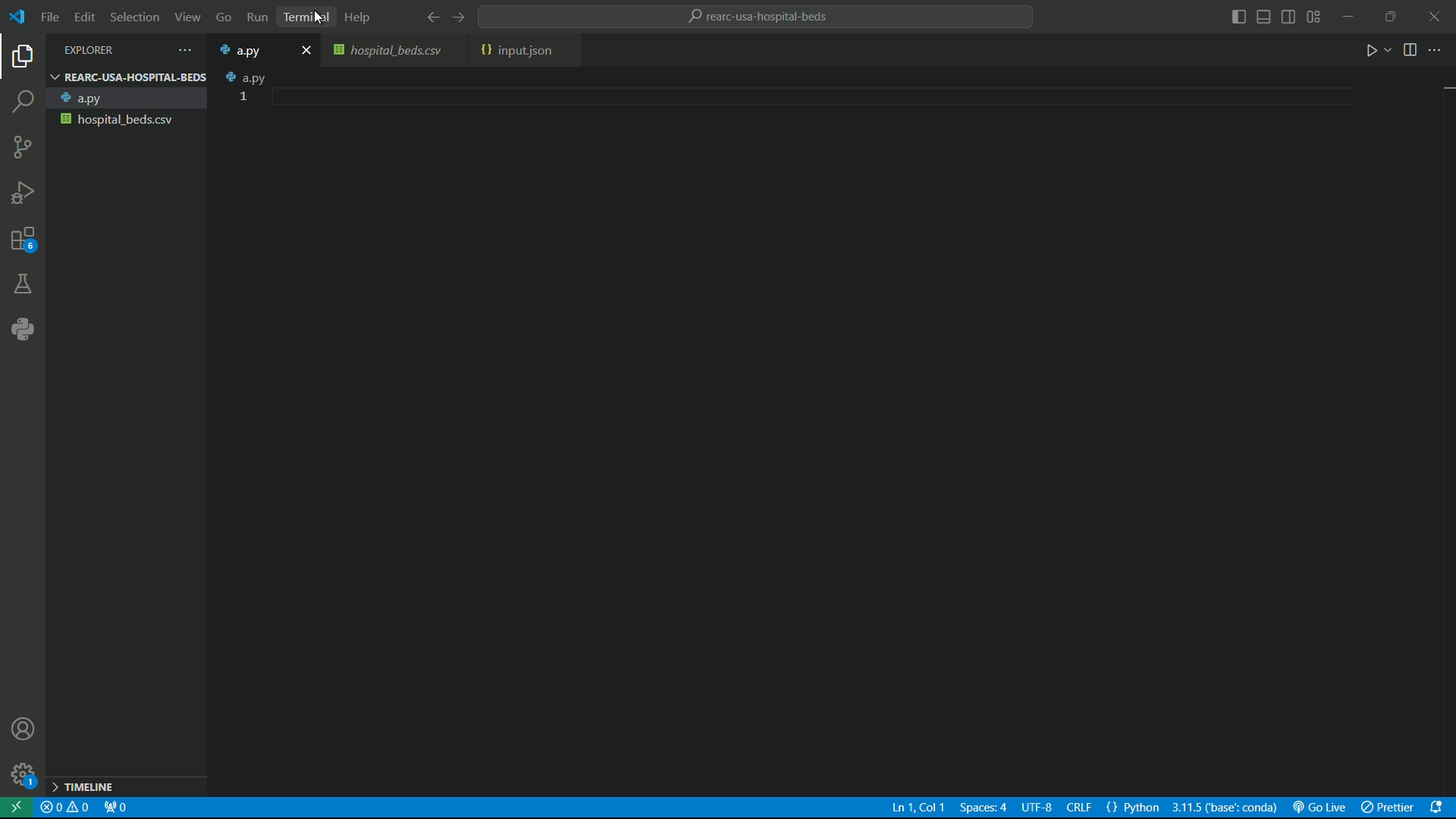 The height and width of the screenshot is (819, 1456). I want to click on open a remote window, so click(18, 808).